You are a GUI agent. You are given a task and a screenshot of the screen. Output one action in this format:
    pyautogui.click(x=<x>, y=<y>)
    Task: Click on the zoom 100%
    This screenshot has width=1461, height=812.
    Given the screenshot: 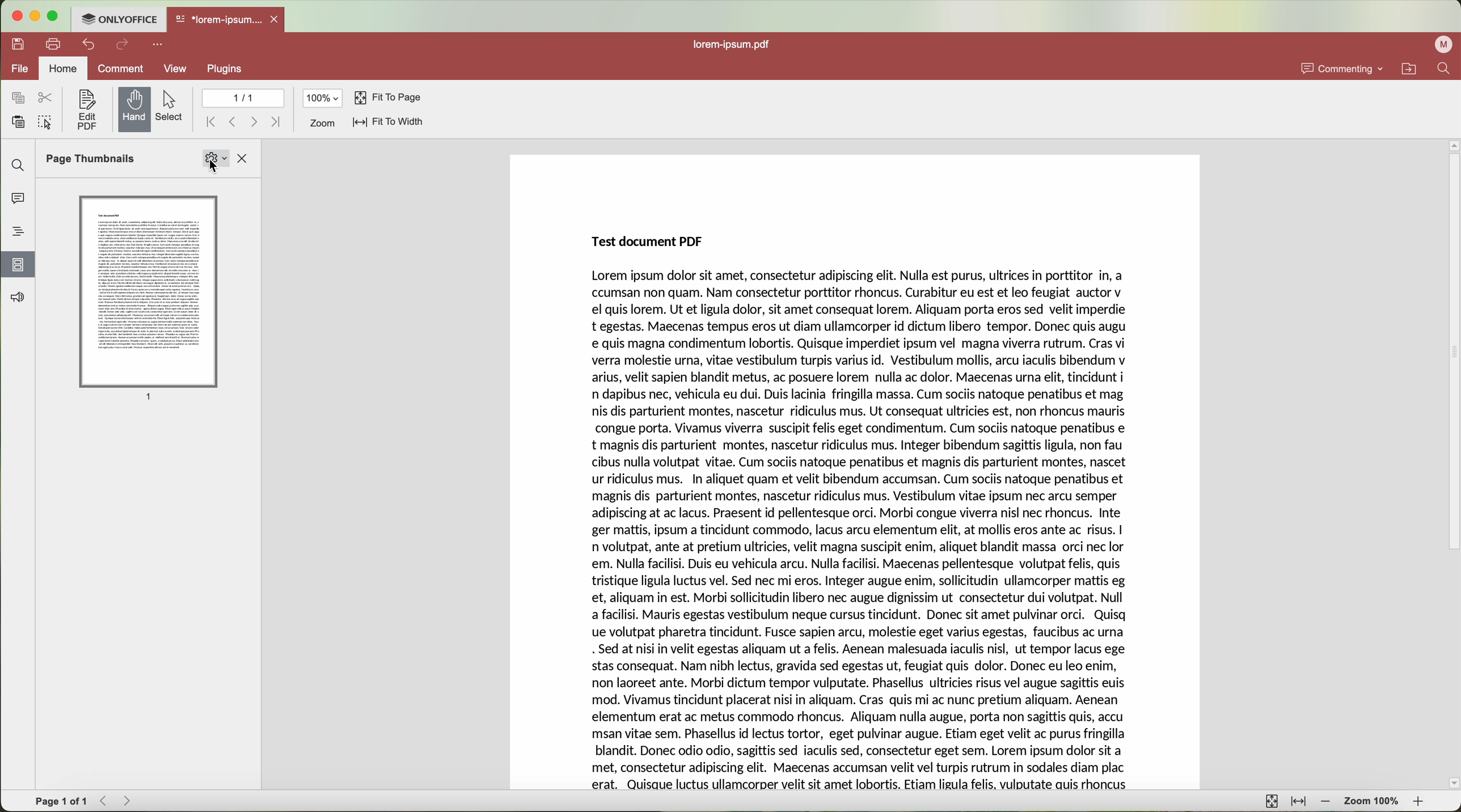 What is the action you would take?
    pyautogui.click(x=1373, y=801)
    